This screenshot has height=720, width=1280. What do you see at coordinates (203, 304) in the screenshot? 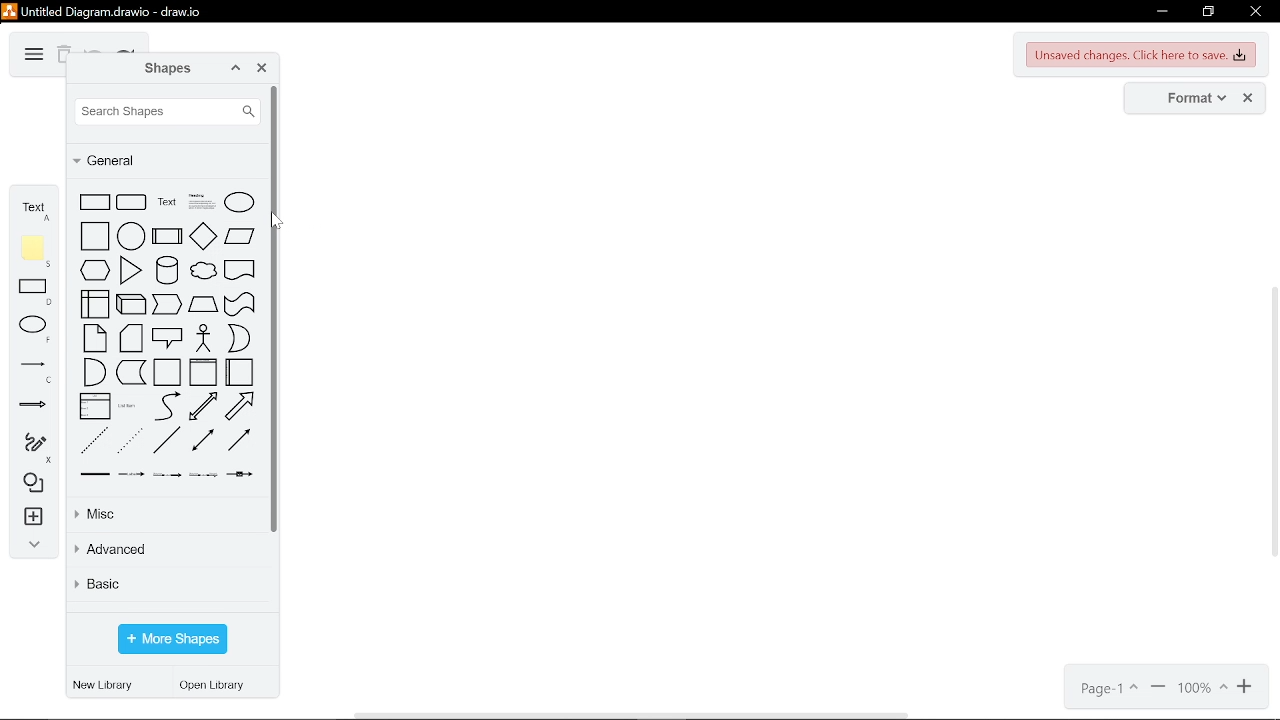
I see `trapezoid` at bounding box center [203, 304].